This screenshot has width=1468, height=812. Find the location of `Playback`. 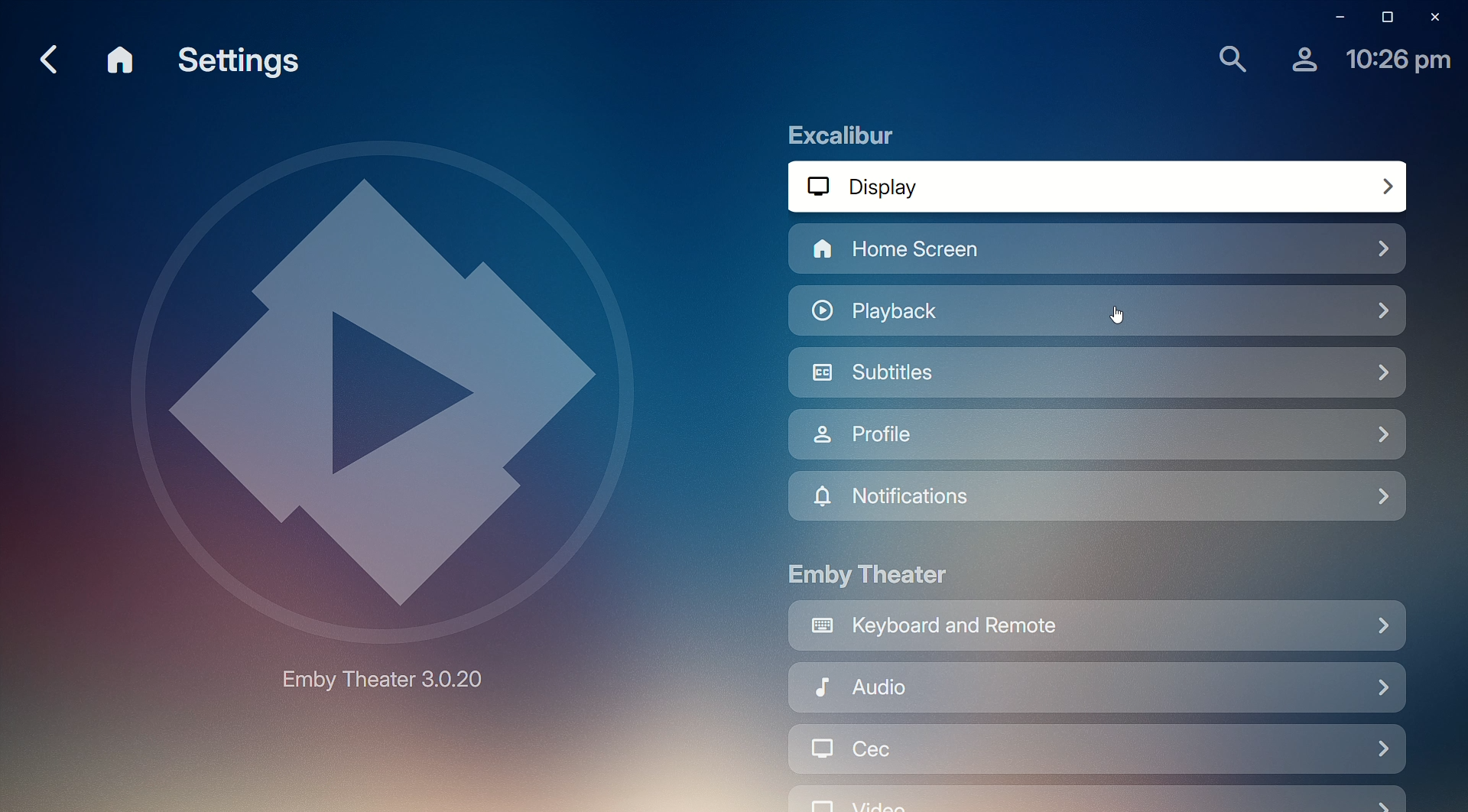

Playback is located at coordinates (943, 312).